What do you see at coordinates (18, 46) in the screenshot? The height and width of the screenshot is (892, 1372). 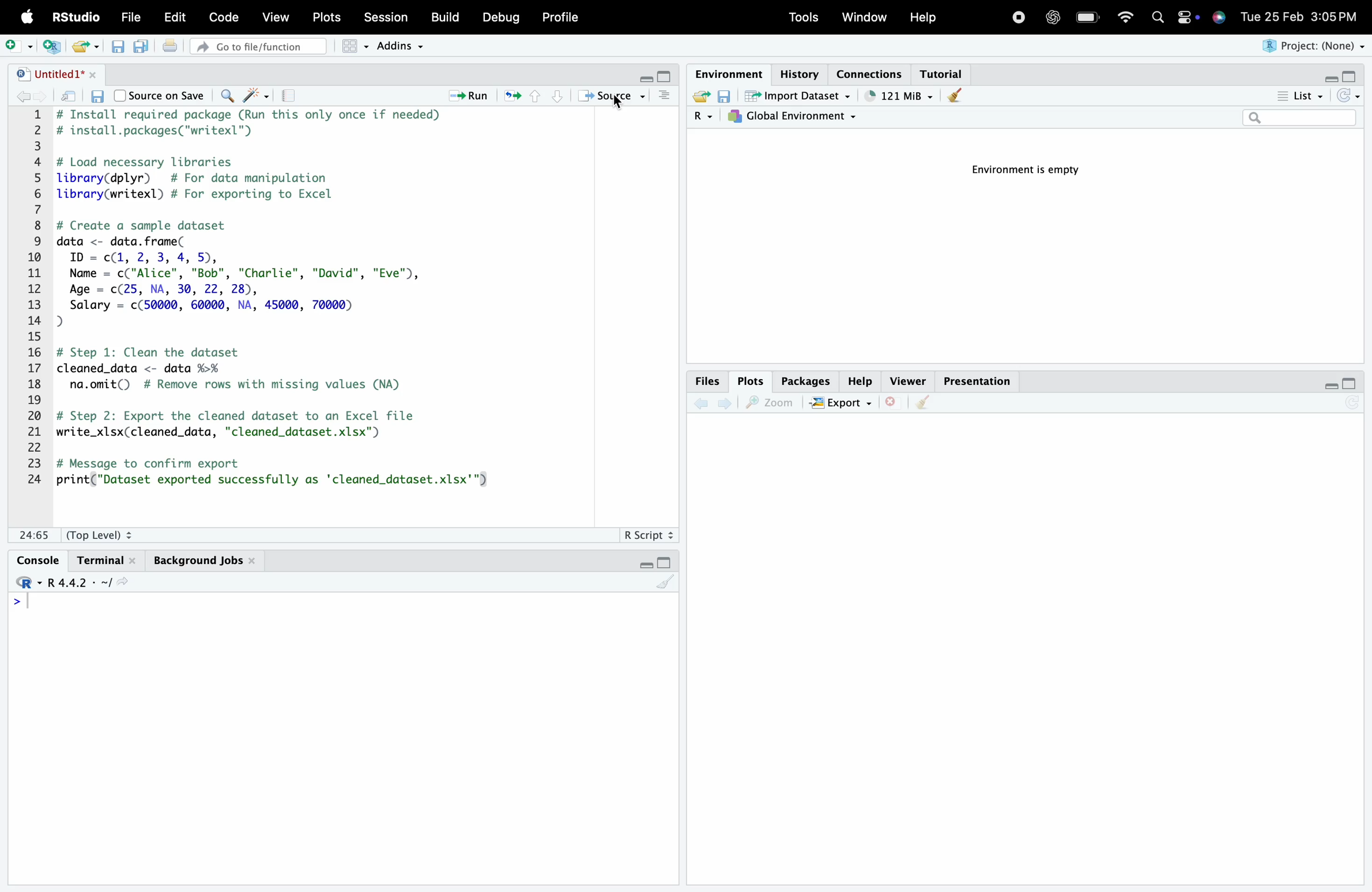 I see `New File` at bounding box center [18, 46].